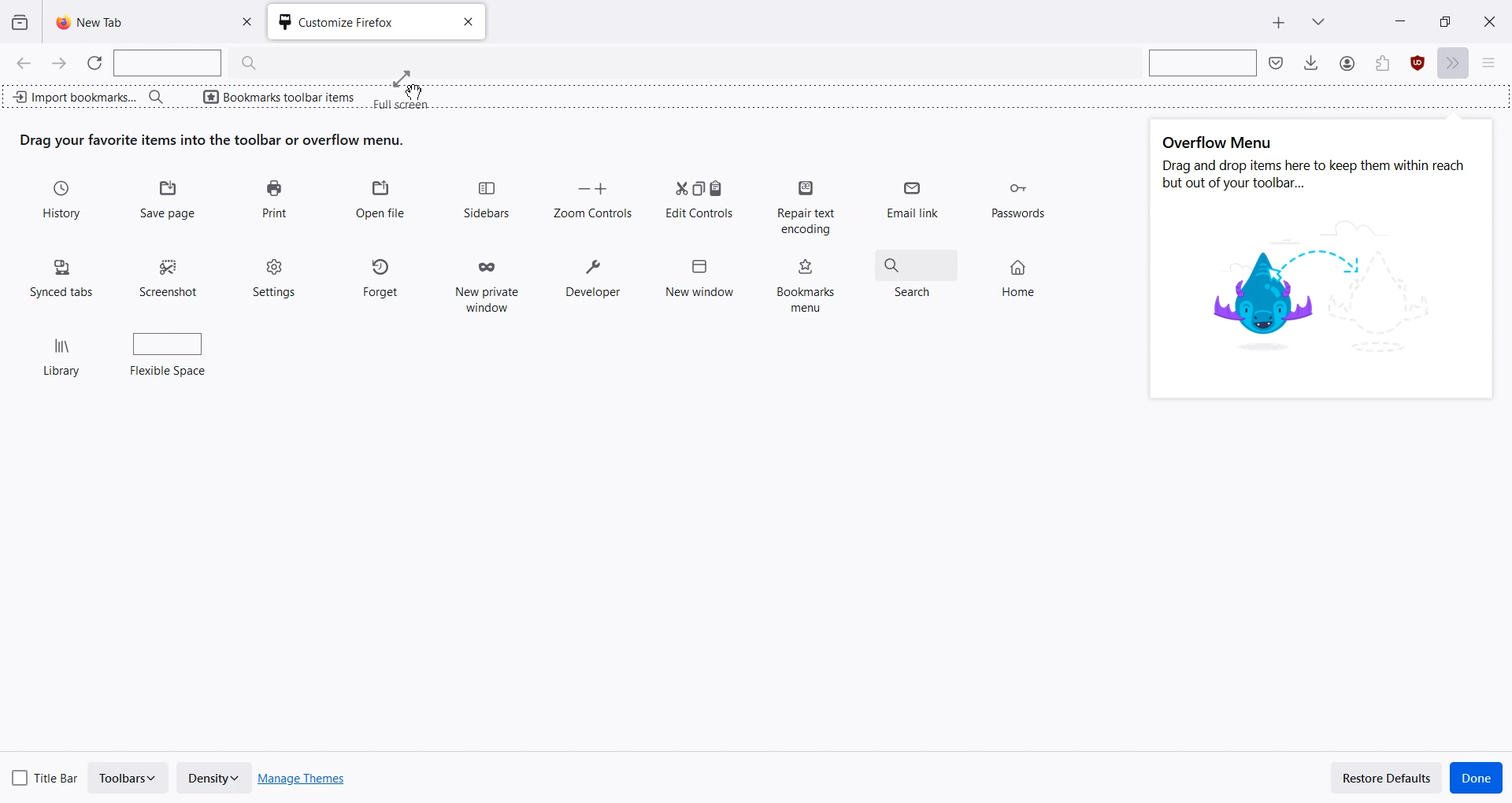 Image resolution: width=1512 pixels, height=803 pixels. Describe the element at coordinates (1318, 20) in the screenshot. I see `List all tab` at that location.